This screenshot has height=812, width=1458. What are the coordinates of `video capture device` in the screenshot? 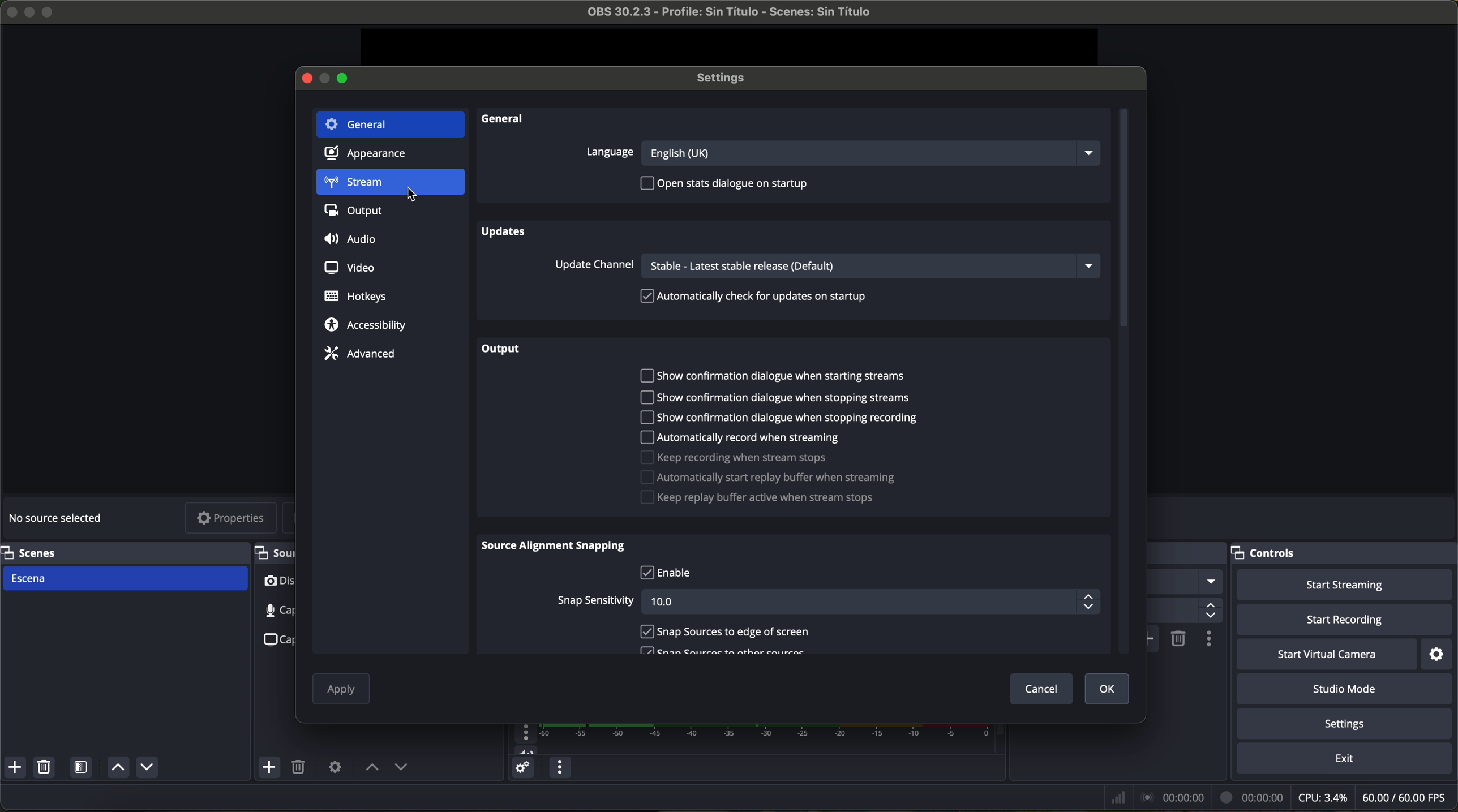 It's located at (278, 583).